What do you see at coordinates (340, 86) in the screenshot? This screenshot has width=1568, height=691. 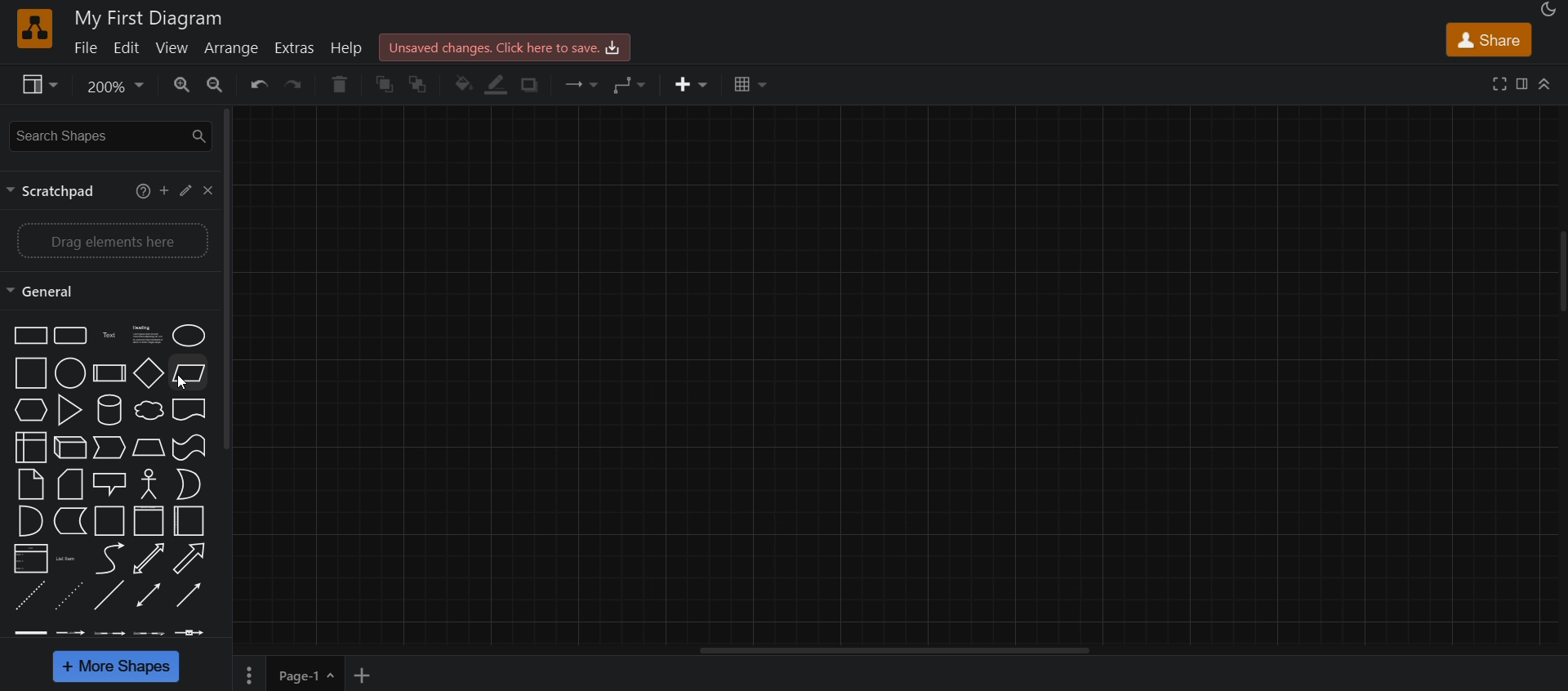 I see `delete` at bounding box center [340, 86].